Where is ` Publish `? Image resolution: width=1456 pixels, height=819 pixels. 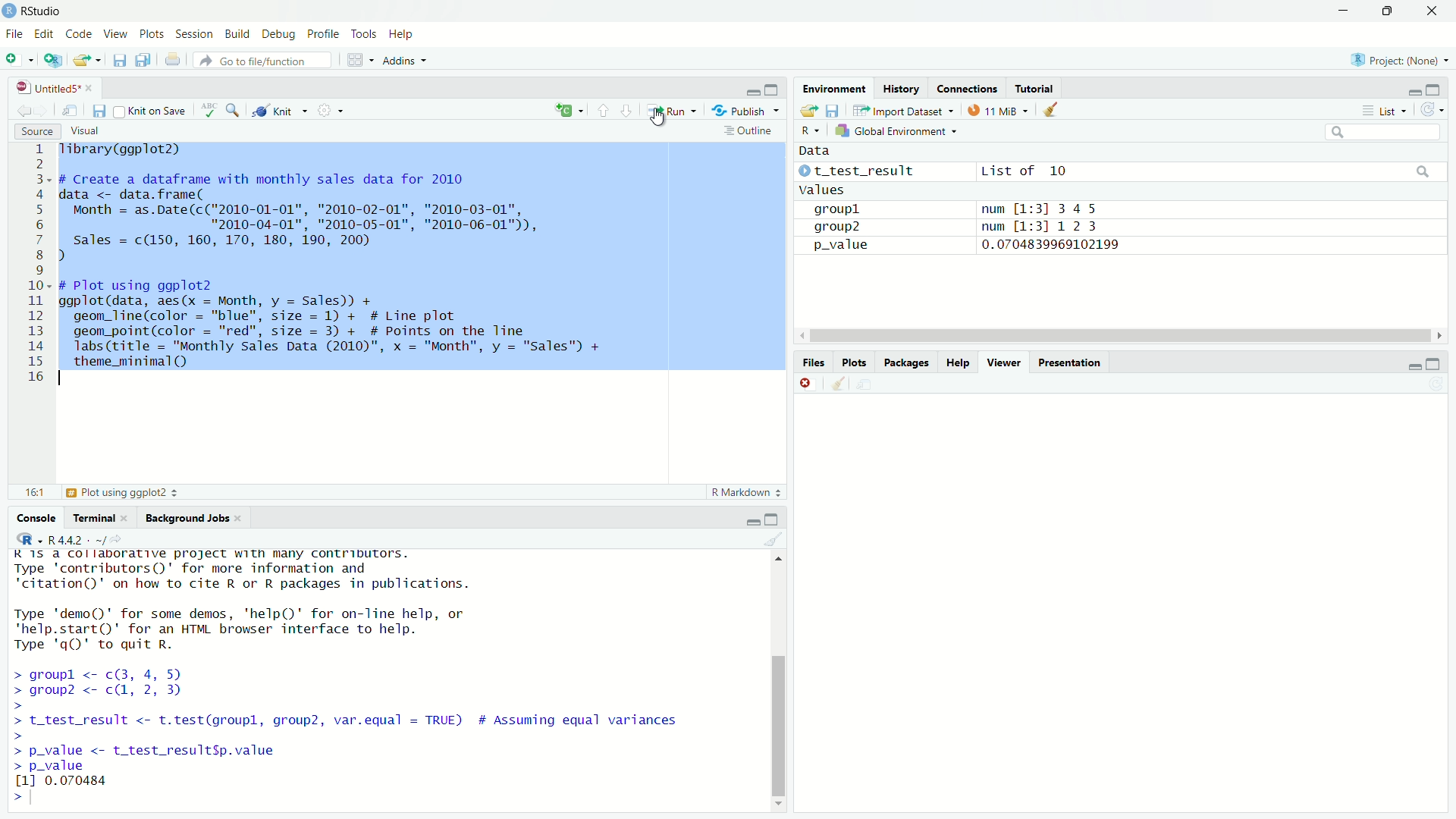  Publish  is located at coordinates (749, 111).